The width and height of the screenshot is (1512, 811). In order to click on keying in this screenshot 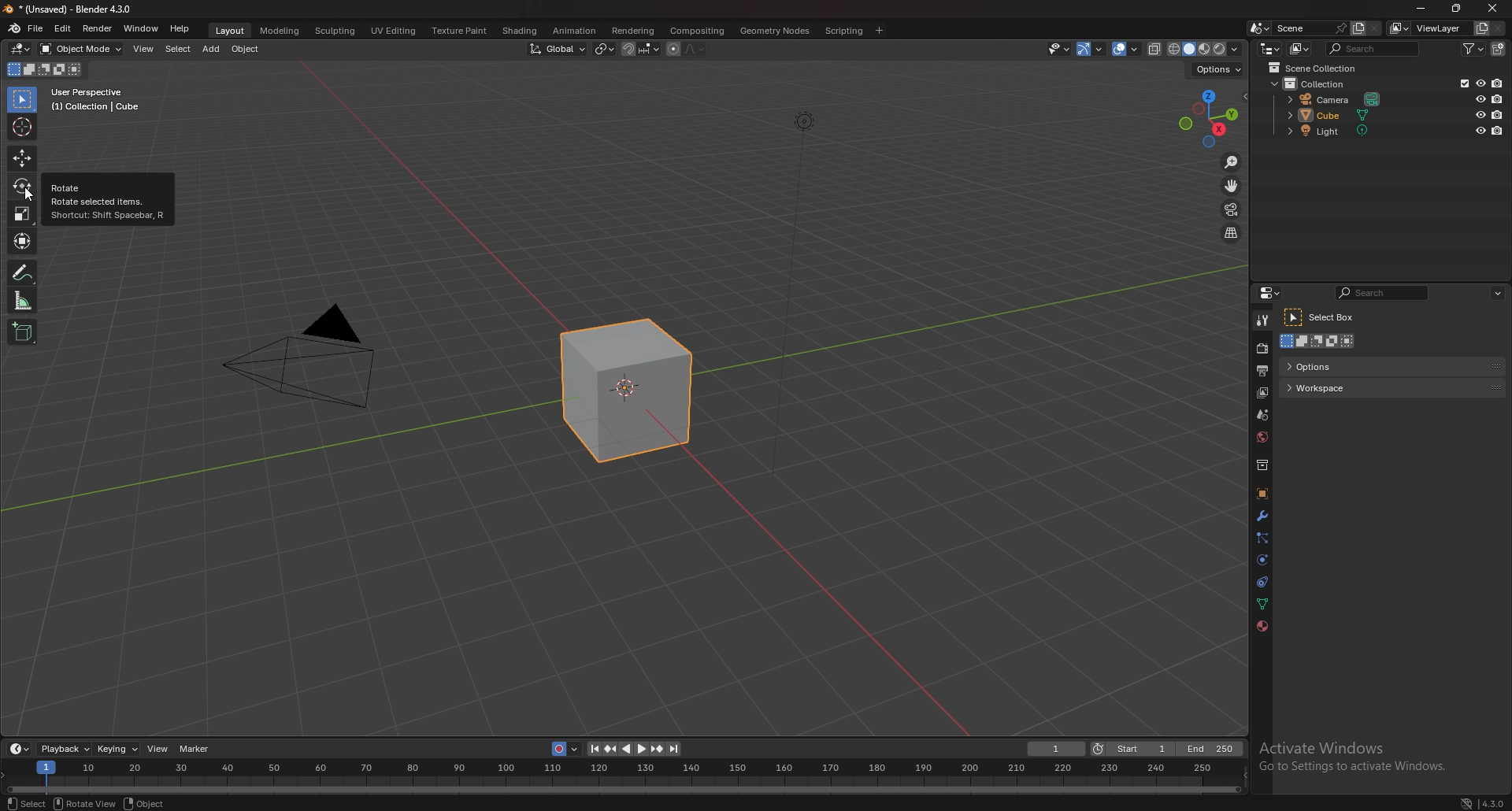, I will do `click(118, 749)`.